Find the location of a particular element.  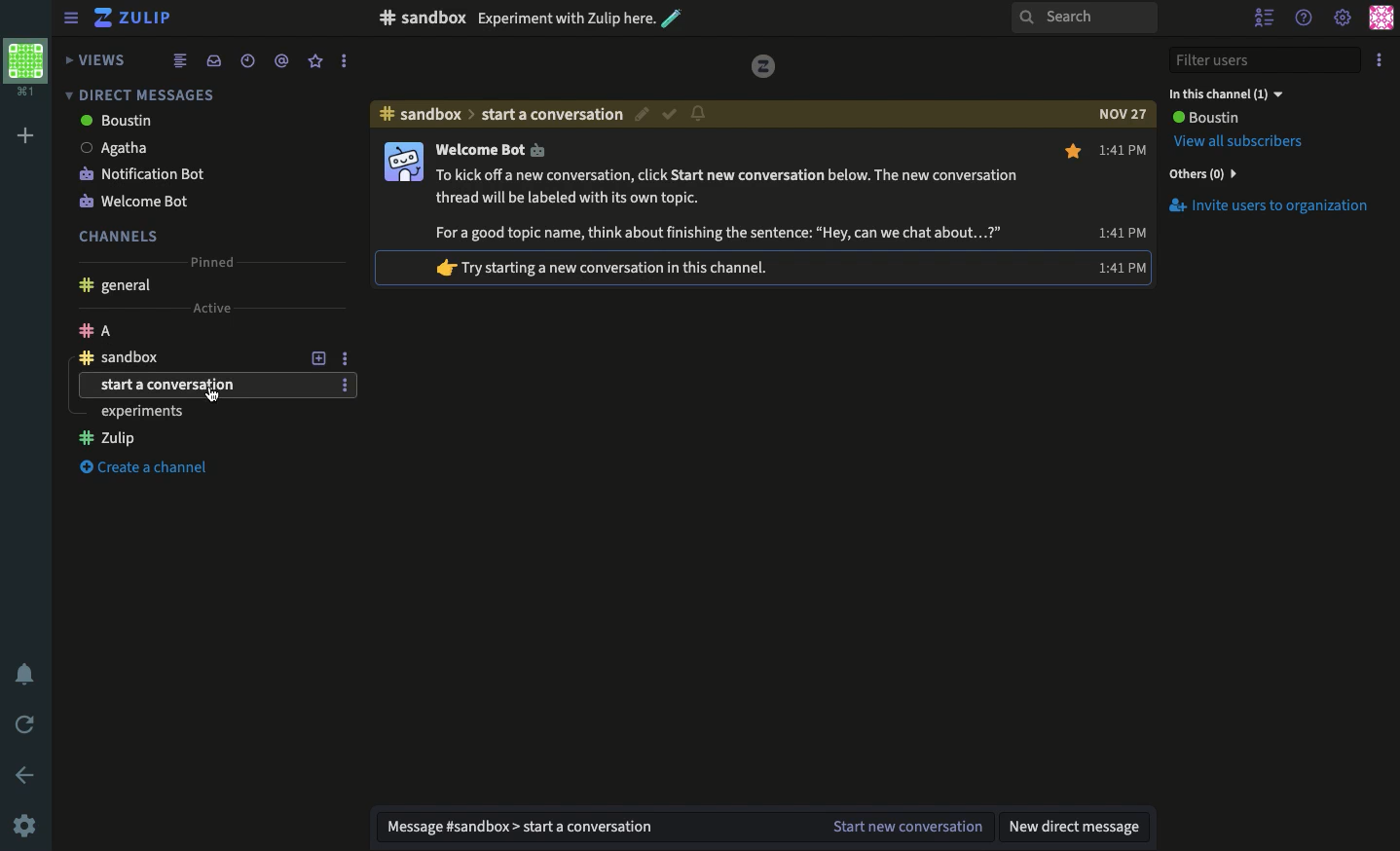

View sidebar is located at coordinates (72, 20).